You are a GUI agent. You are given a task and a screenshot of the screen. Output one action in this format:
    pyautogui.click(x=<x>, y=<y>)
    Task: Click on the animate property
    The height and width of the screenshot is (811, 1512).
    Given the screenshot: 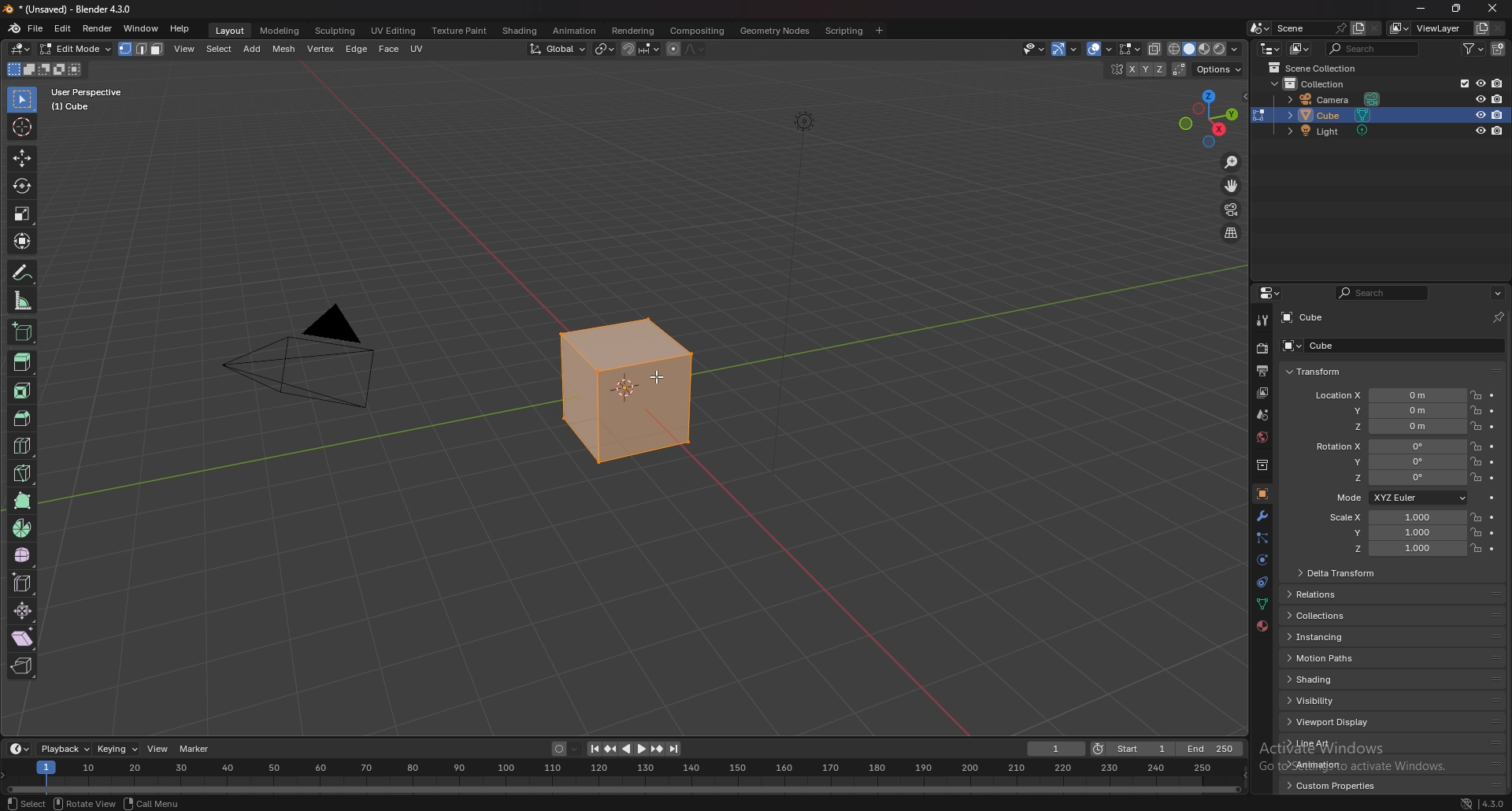 What is the action you would take?
    pyautogui.click(x=1495, y=498)
    